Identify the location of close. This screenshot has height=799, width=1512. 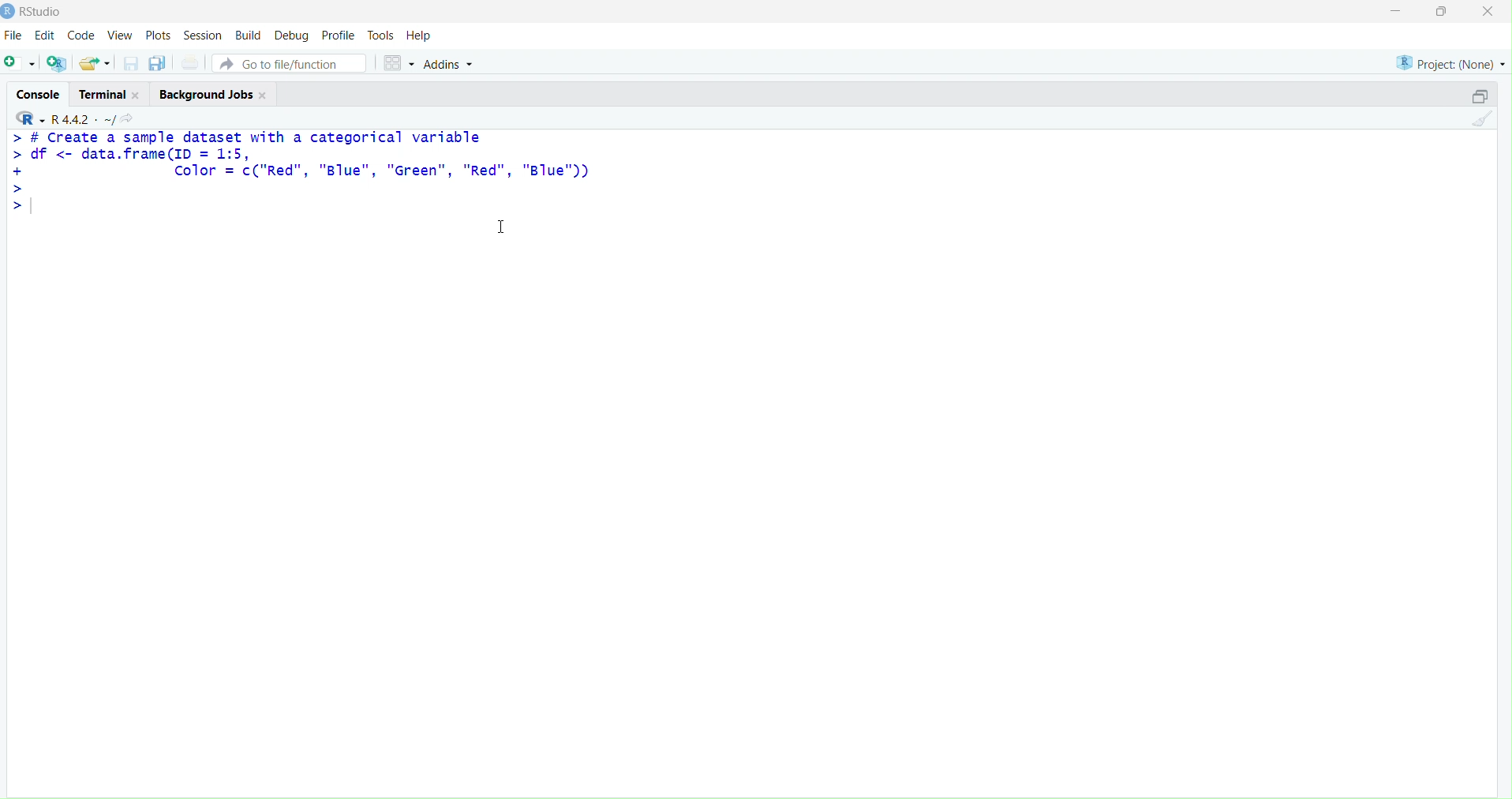
(264, 96).